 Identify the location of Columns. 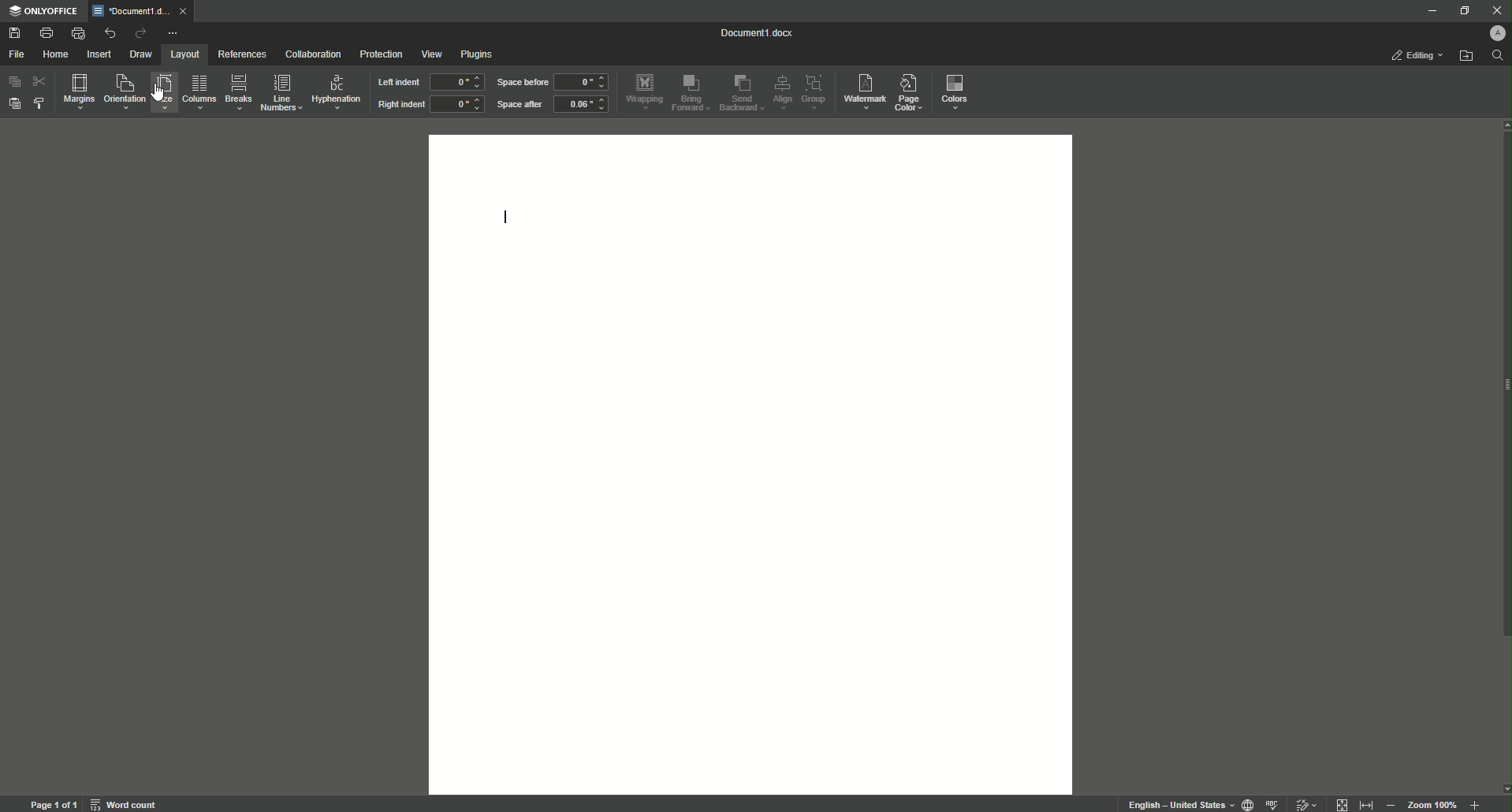
(199, 94).